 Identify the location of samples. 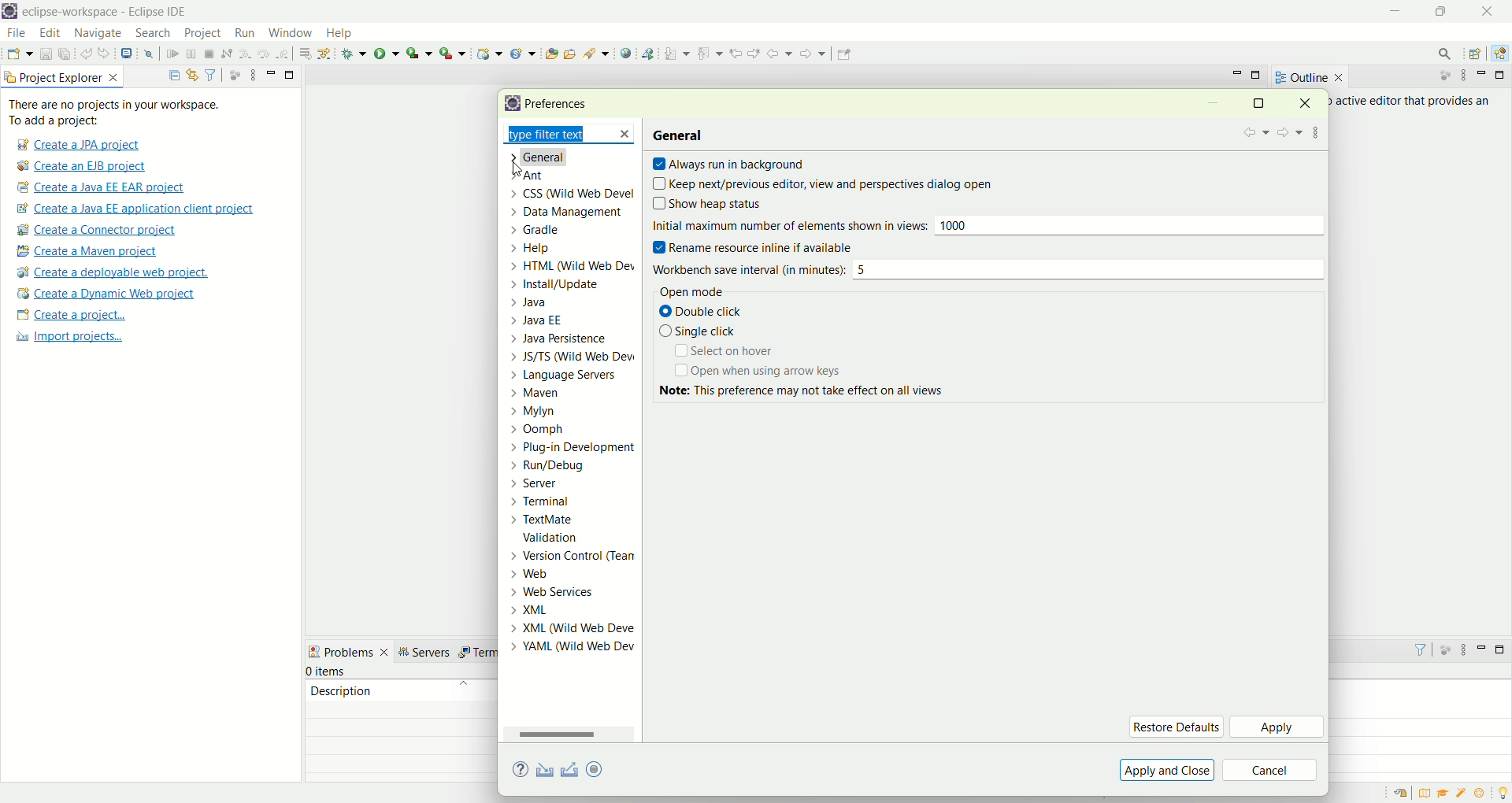
(1463, 793).